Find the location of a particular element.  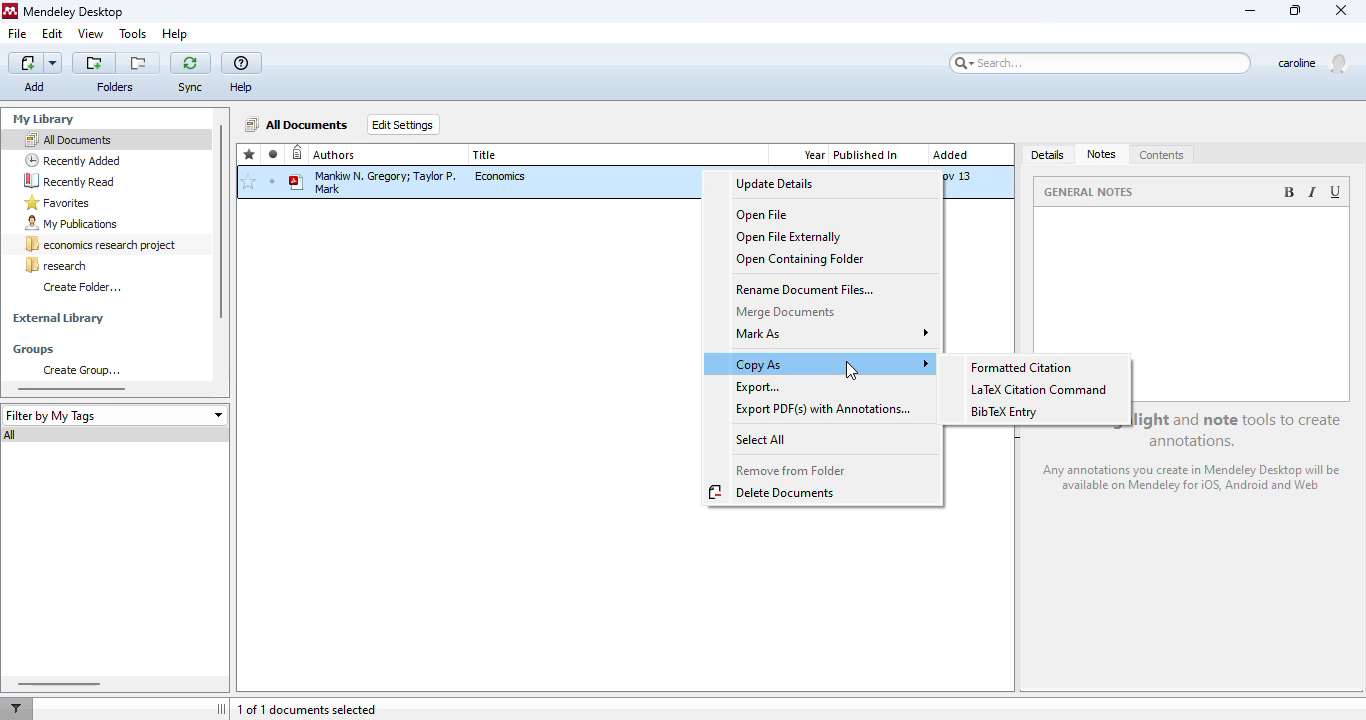

bold is located at coordinates (1288, 192).